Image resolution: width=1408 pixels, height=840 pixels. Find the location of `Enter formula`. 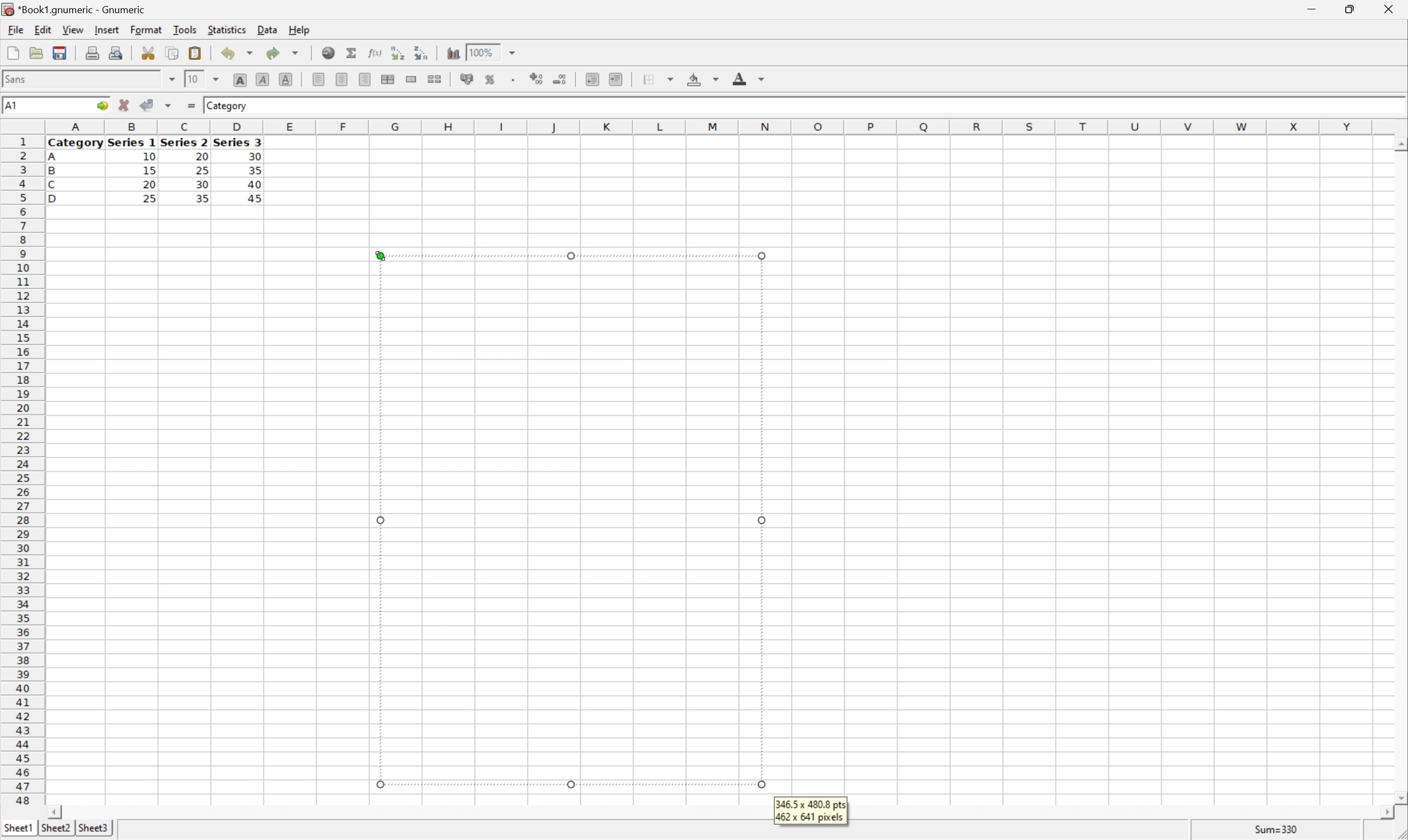

Enter formula is located at coordinates (193, 104).